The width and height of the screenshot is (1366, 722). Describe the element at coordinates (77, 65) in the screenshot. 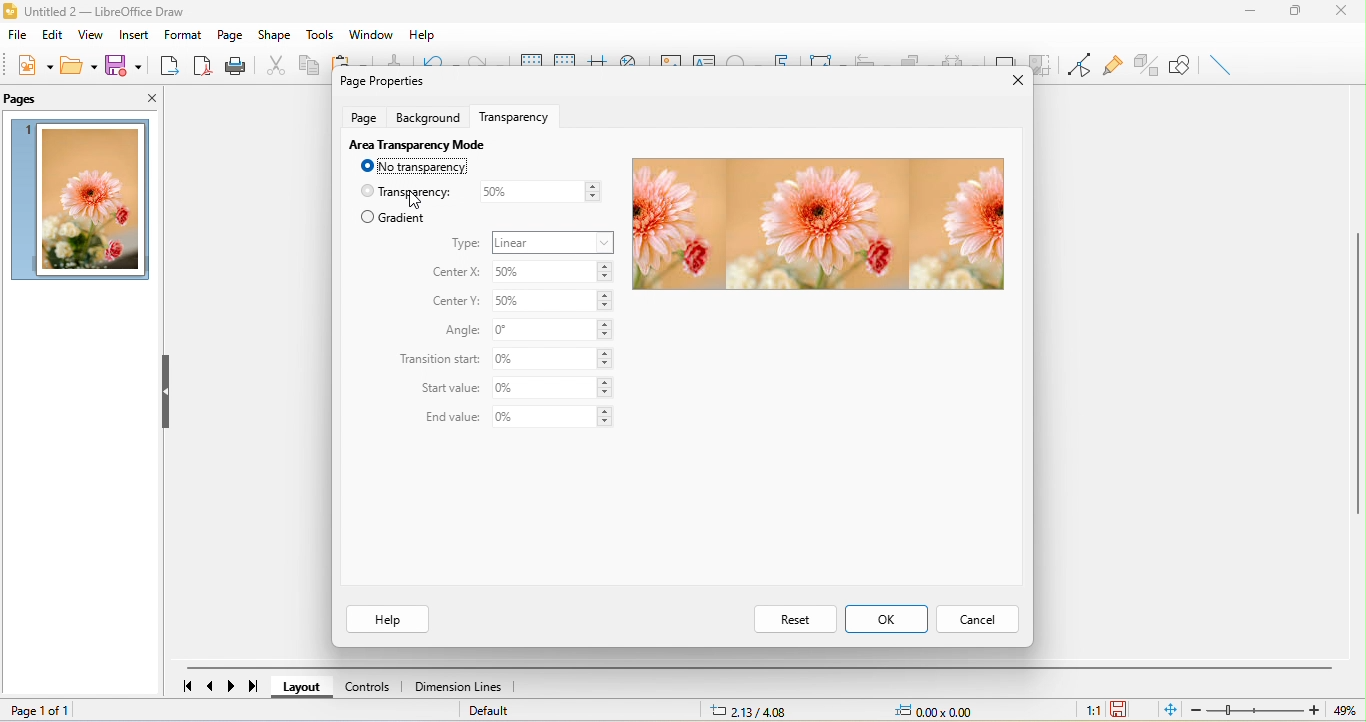

I see `open` at that location.